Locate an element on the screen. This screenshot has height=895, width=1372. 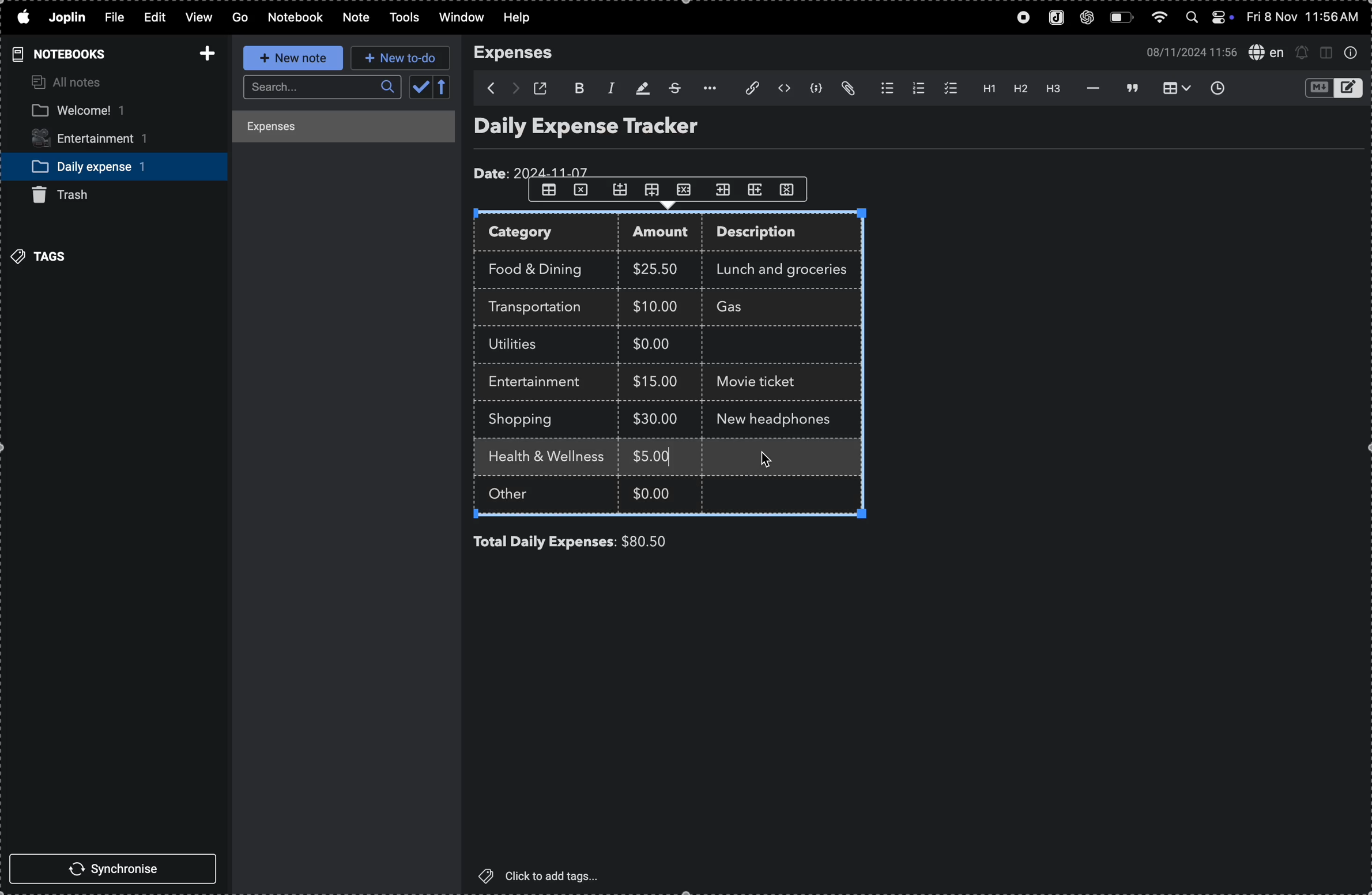
welcome notebook is located at coordinates (101, 111).